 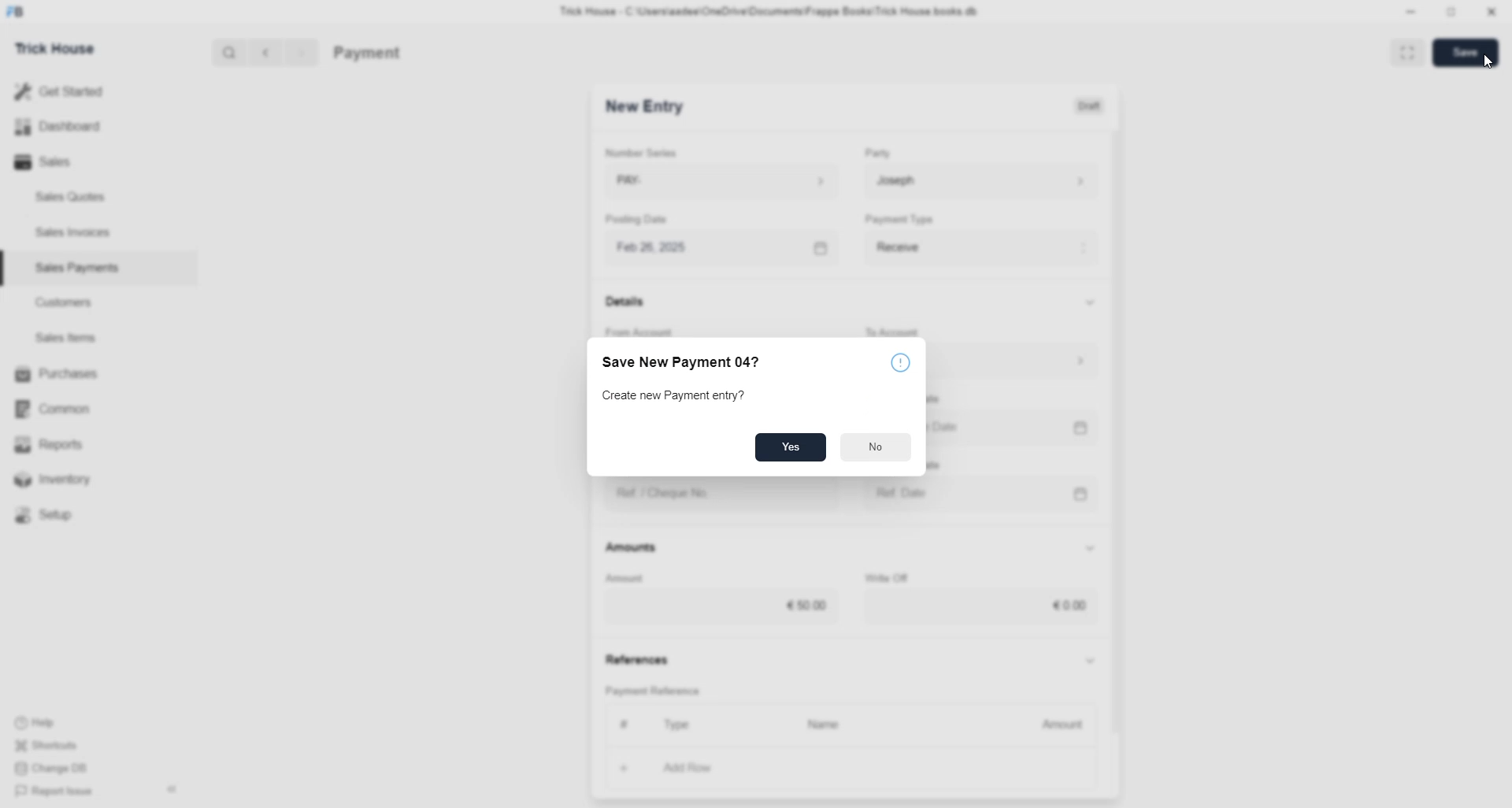 What do you see at coordinates (1091, 105) in the screenshot?
I see `Draft` at bounding box center [1091, 105].